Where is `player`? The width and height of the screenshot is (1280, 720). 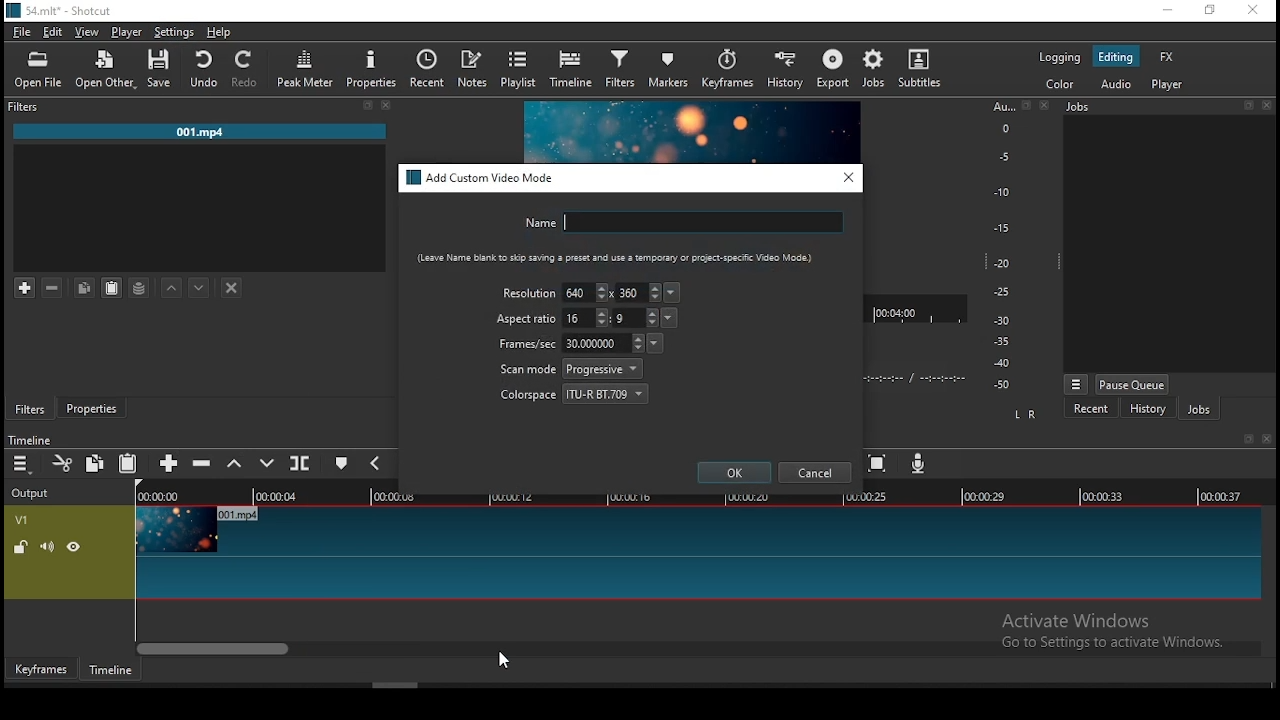 player is located at coordinates (128, 33).